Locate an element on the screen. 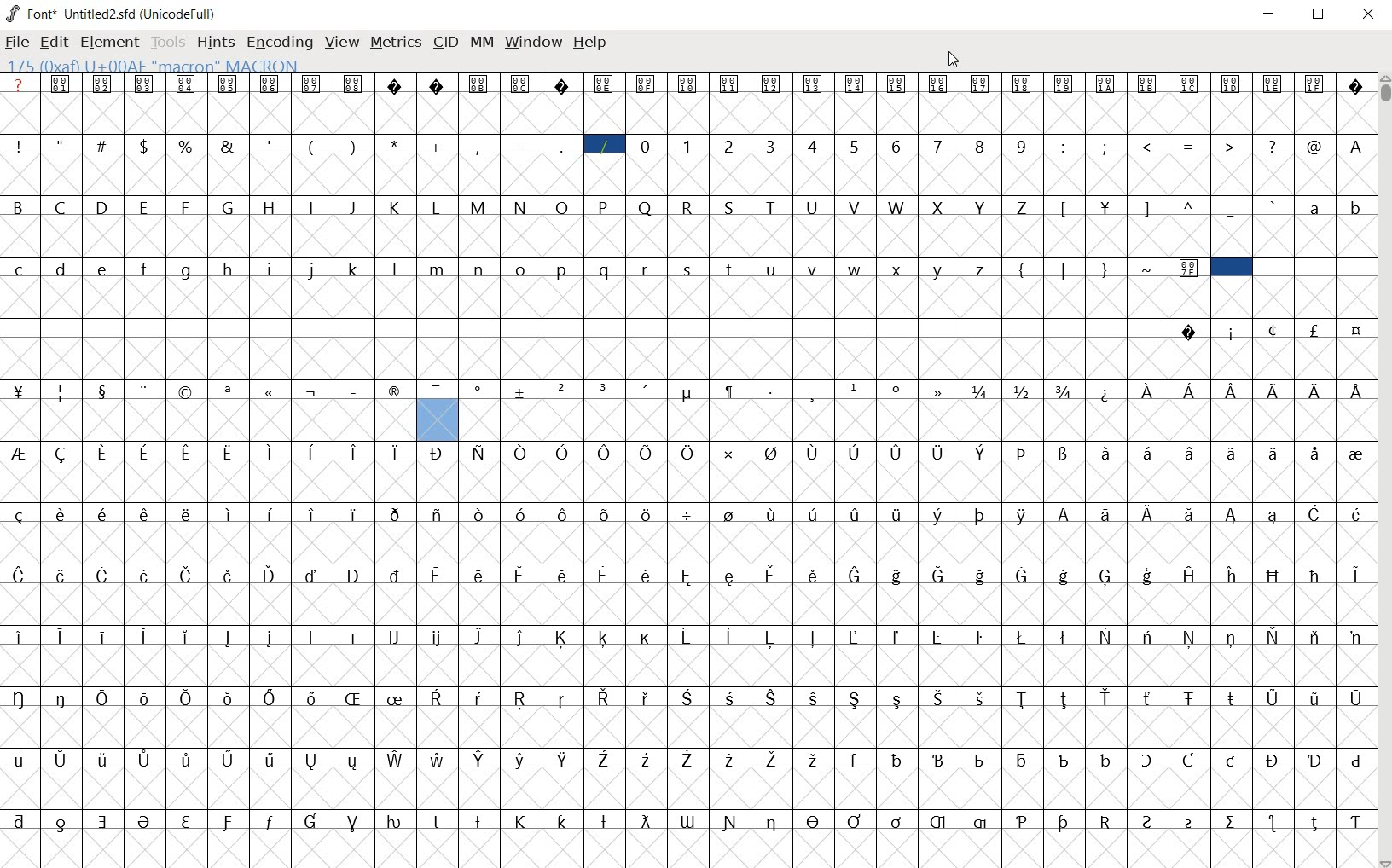 The width and height of the screenshot is (1392, 868). Symbol is located at coordinates (1189, 697).